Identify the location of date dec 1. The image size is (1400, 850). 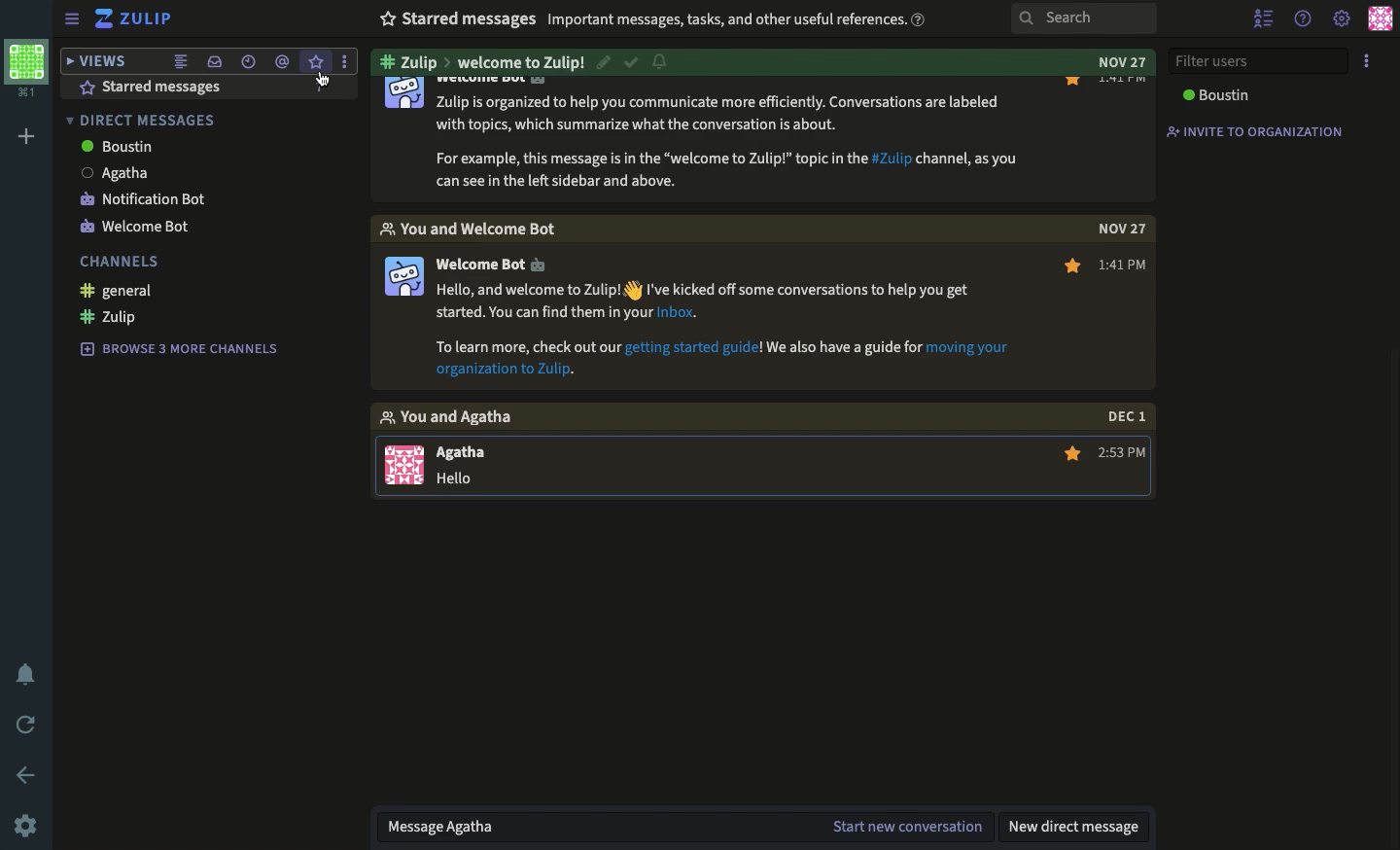
(1124, 416).